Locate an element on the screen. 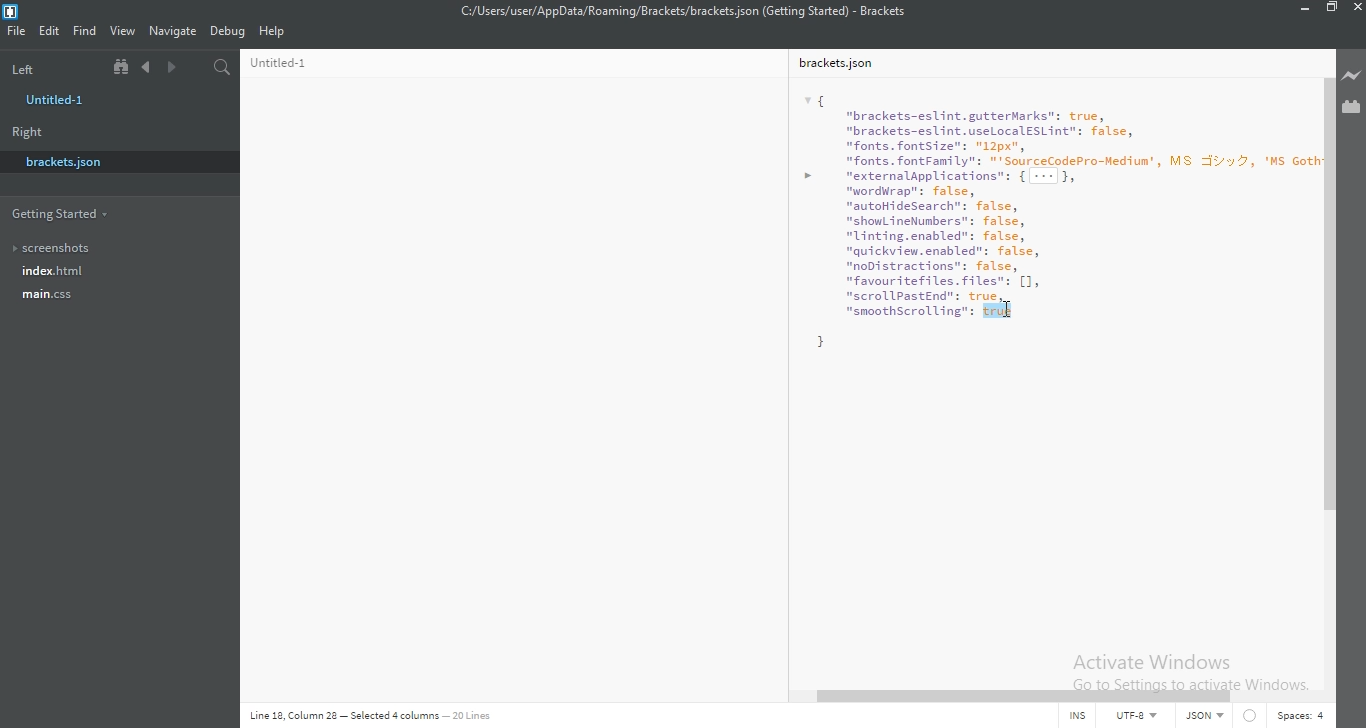 This screenshot has height=728, width=1366. Show file tree is located at coordinates (123, 67).